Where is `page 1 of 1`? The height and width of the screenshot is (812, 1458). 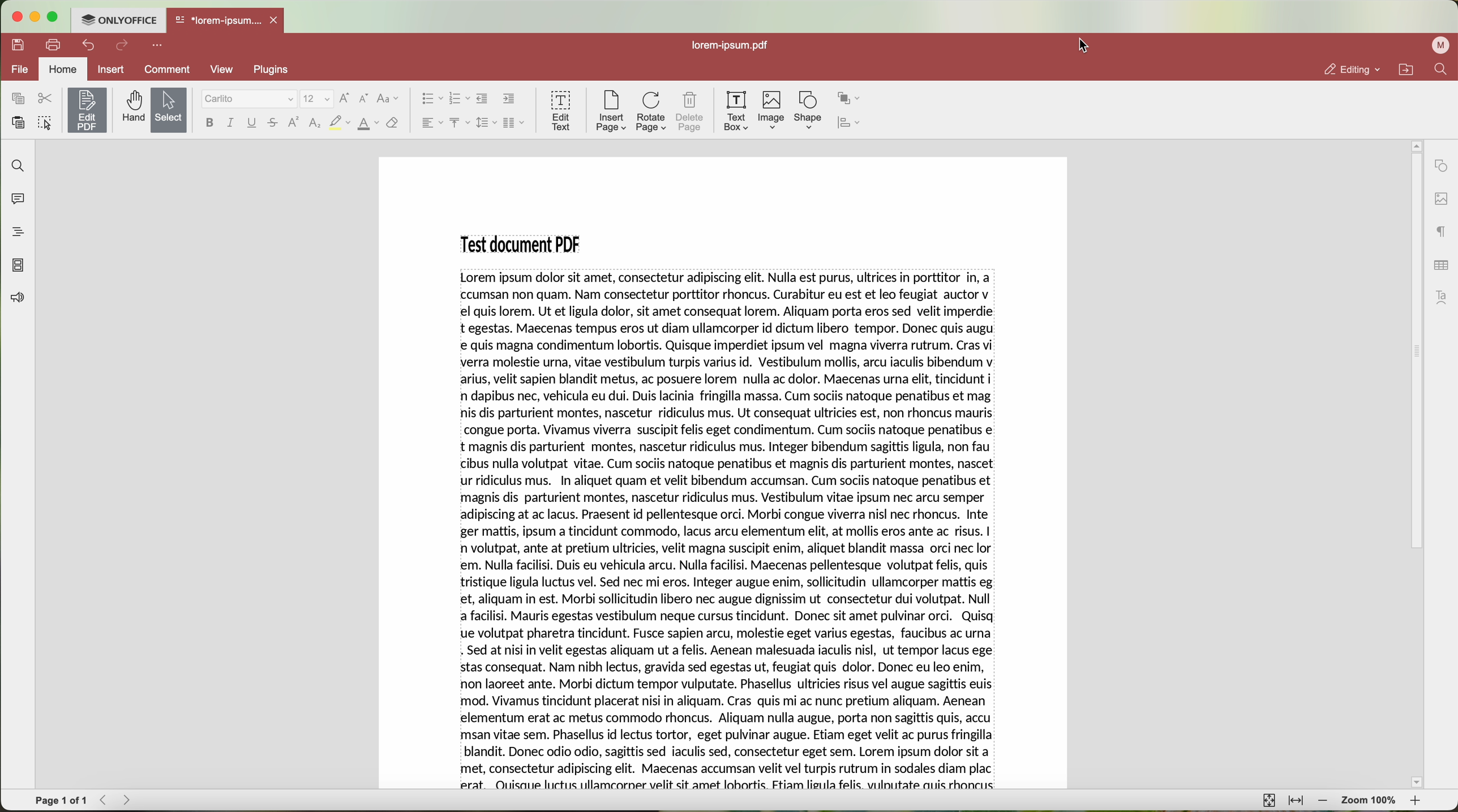 page 1 of 1 is located at coordinates (61, 801).